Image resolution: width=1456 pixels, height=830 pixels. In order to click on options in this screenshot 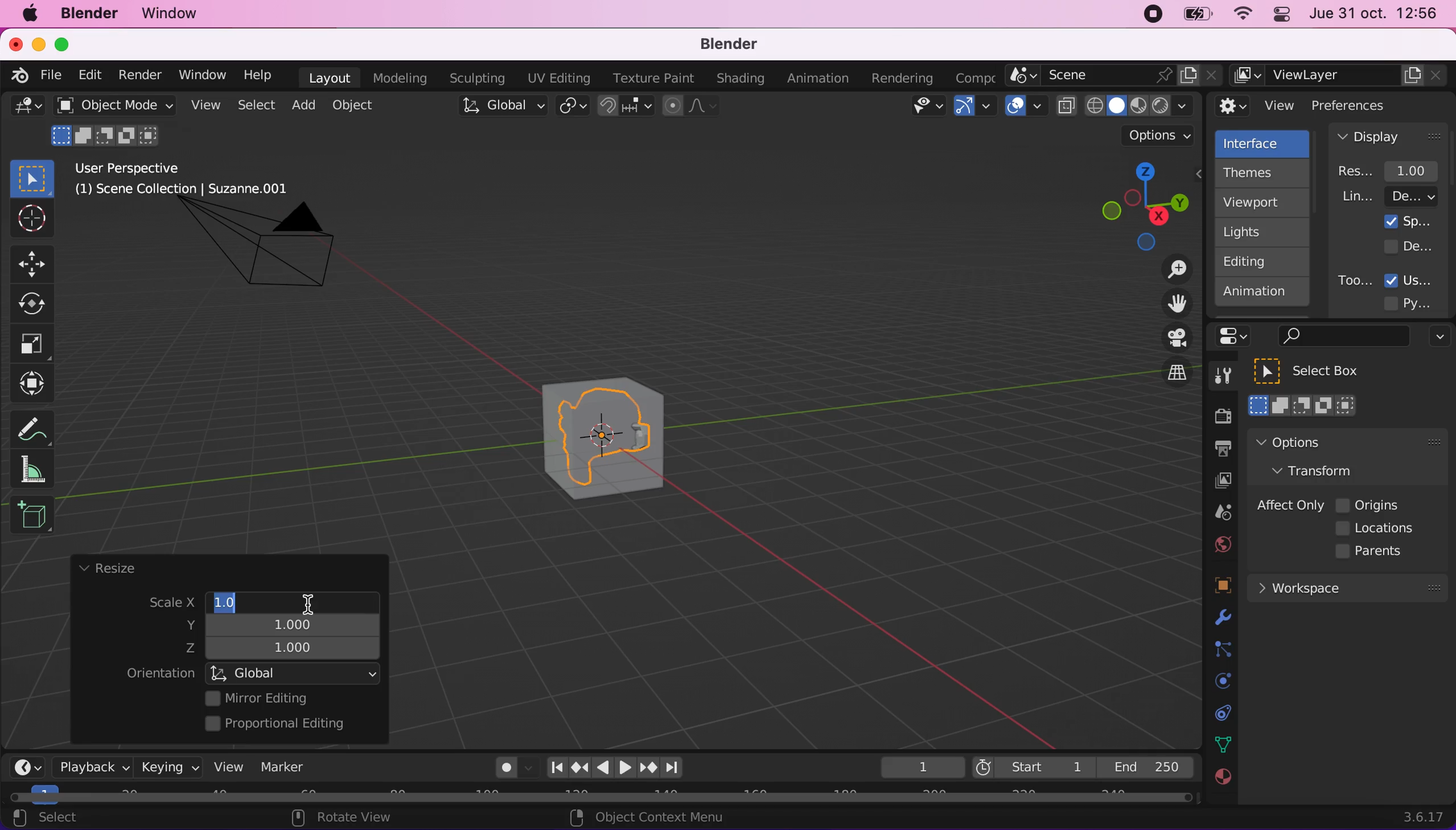, I will do `click(1437, 338)`.